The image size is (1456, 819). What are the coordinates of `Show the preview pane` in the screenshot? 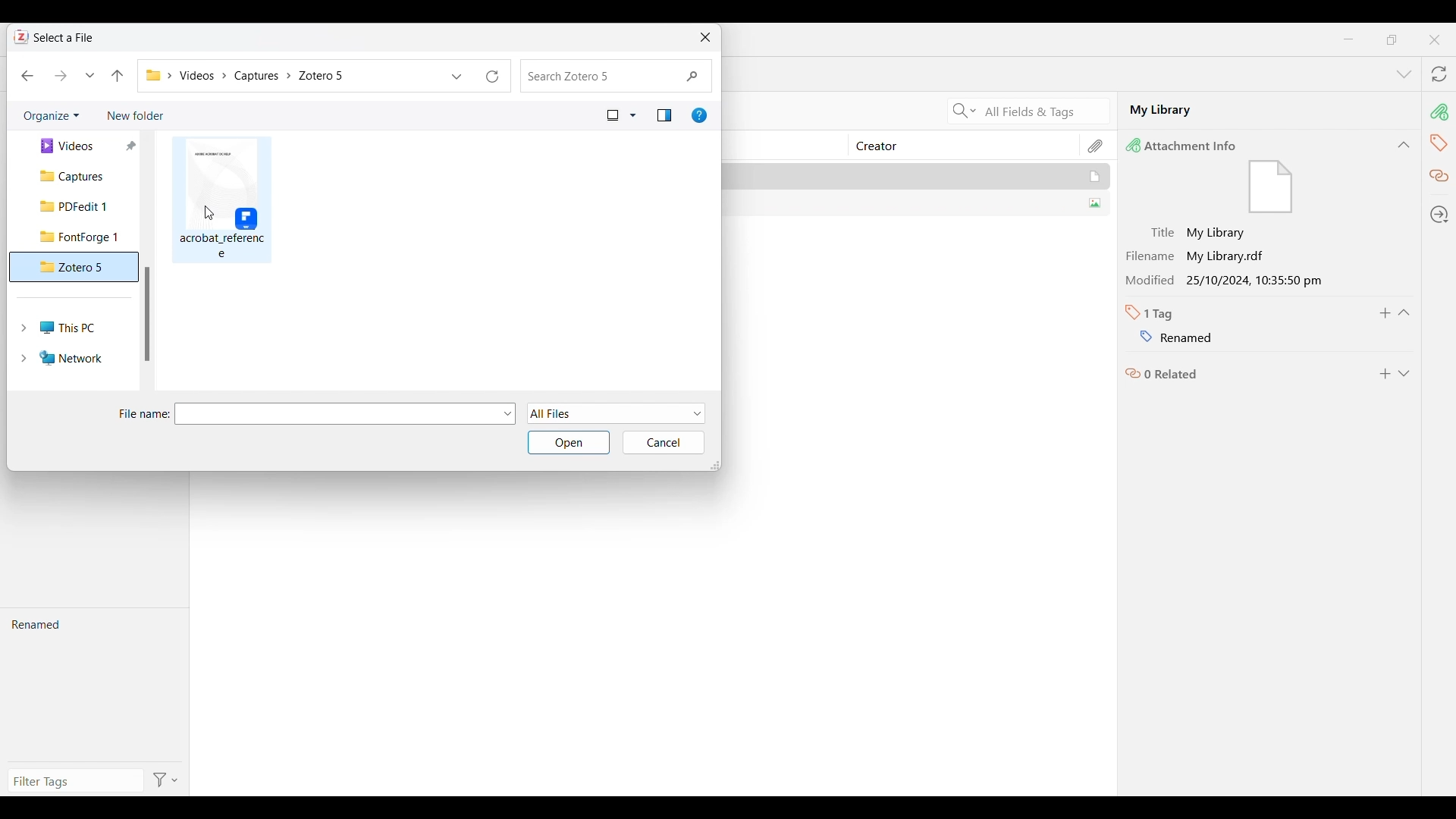 It's located at (664, 115).